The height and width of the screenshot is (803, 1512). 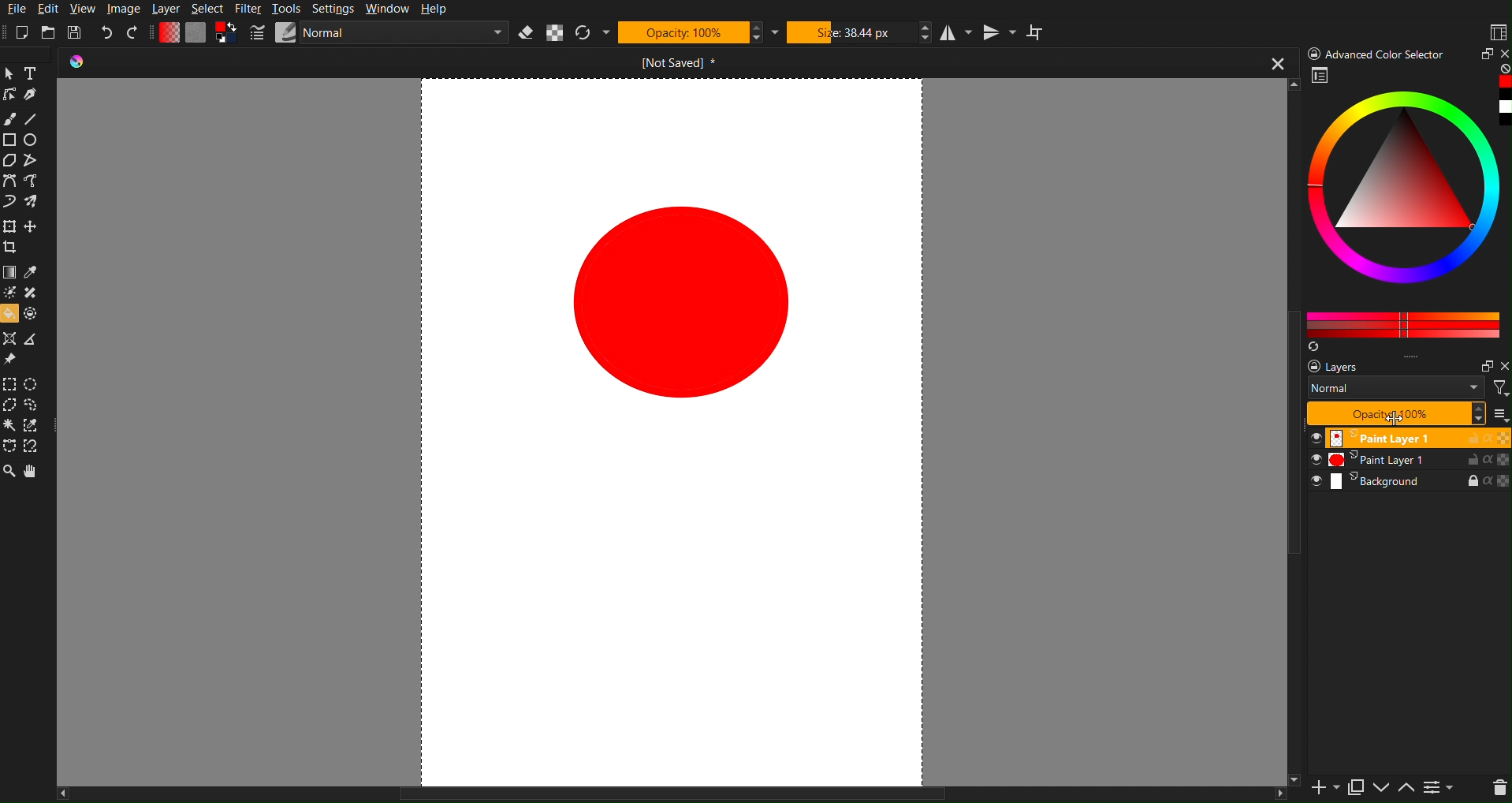 What do you see at coordinates (33, 472) in the screenshot?
I see `Pan` at bounding box center [33, 472].